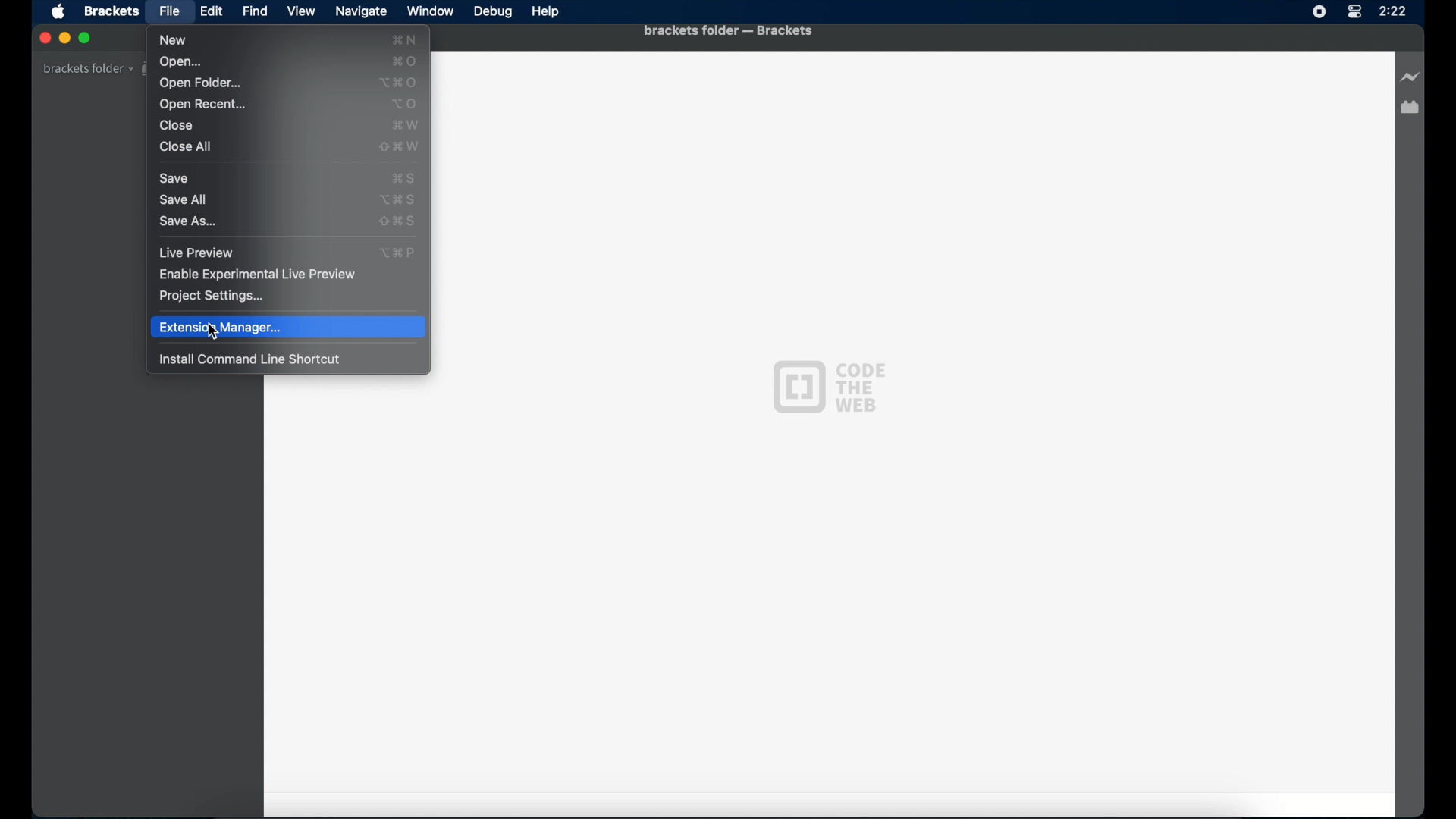 Image resolution: width=1456 pixels, height=819 pixels. Describe the element at coordinates (397, 199) in the screenshot. I see `save all shortcut` at that location.